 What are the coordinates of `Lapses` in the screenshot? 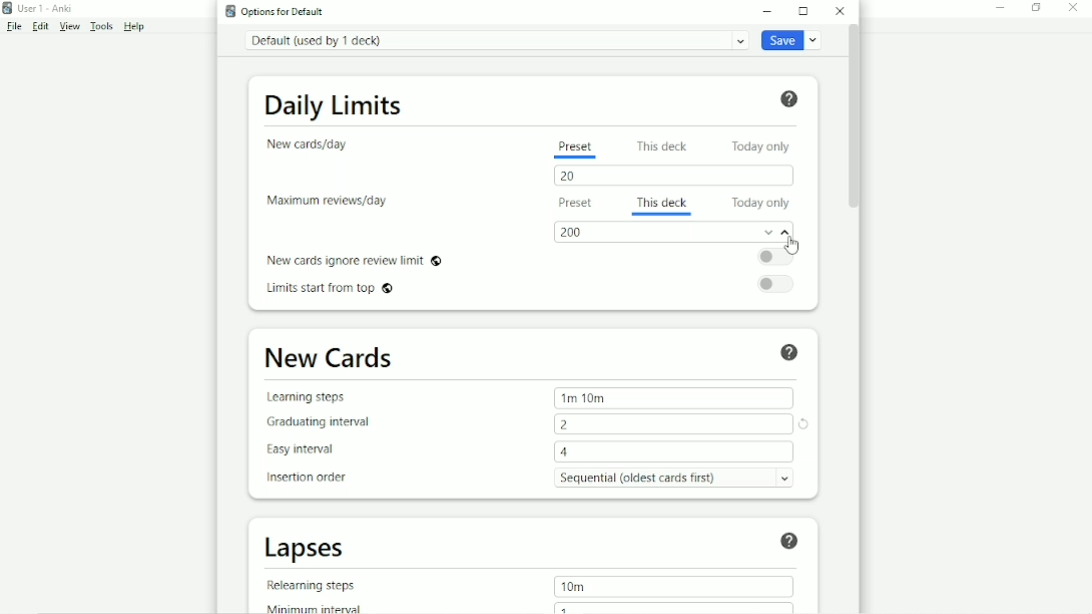 It's located at (313, 548).